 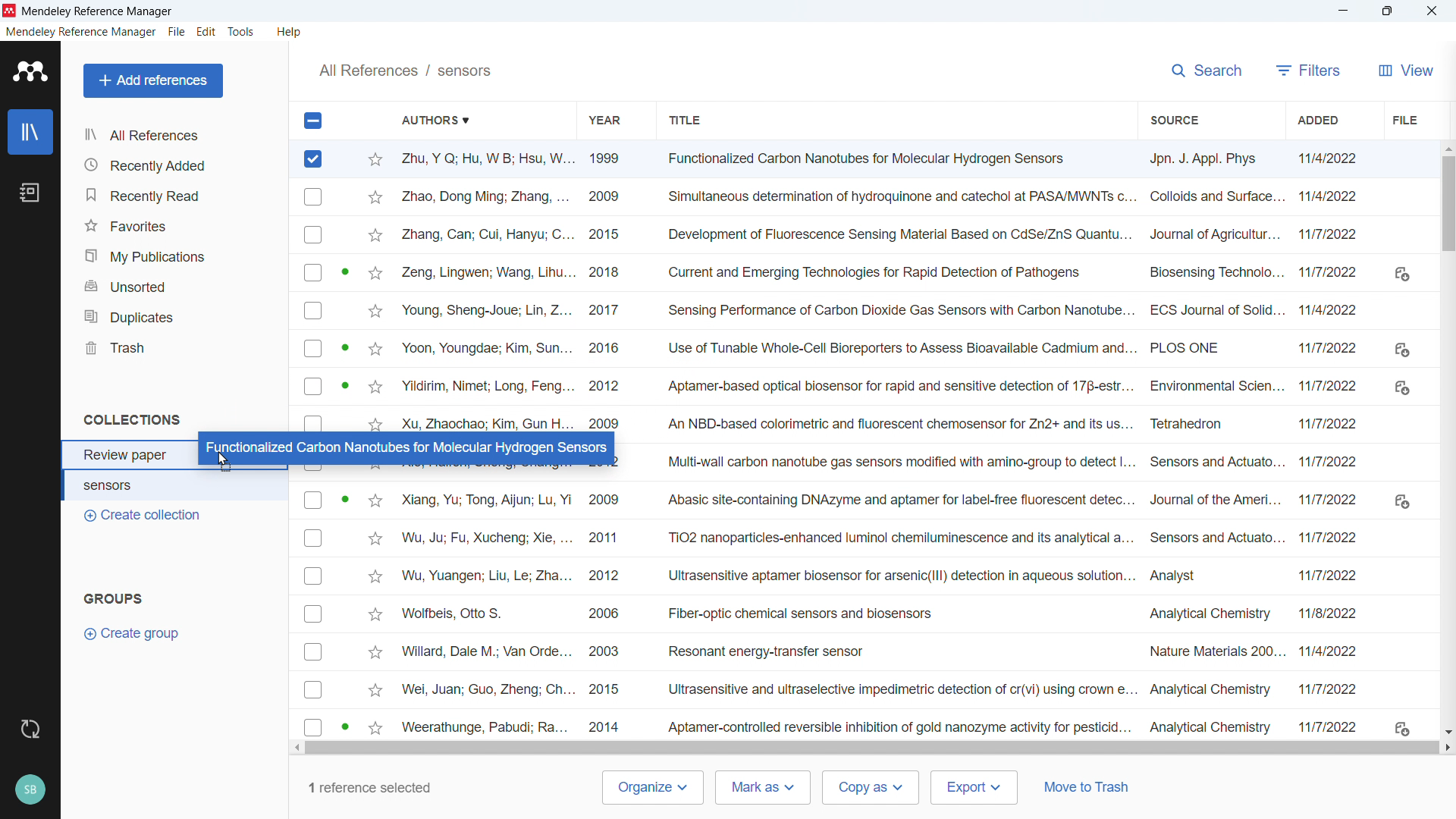 I want to click on Edit , so click(x=206, y=33).